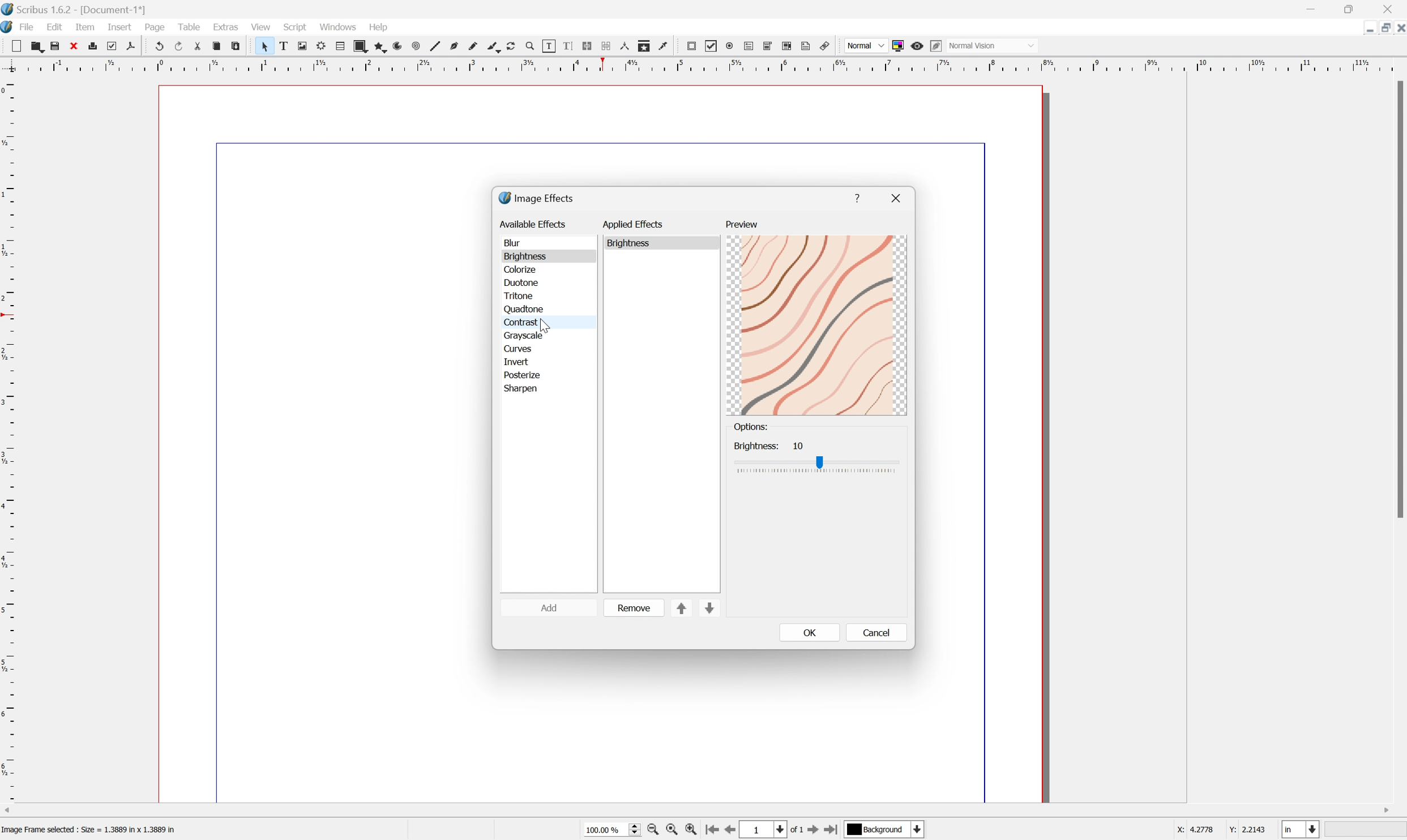  Describe the element at coordinates (1353, 8) in the screenshot. I see `Restore down` at that location.